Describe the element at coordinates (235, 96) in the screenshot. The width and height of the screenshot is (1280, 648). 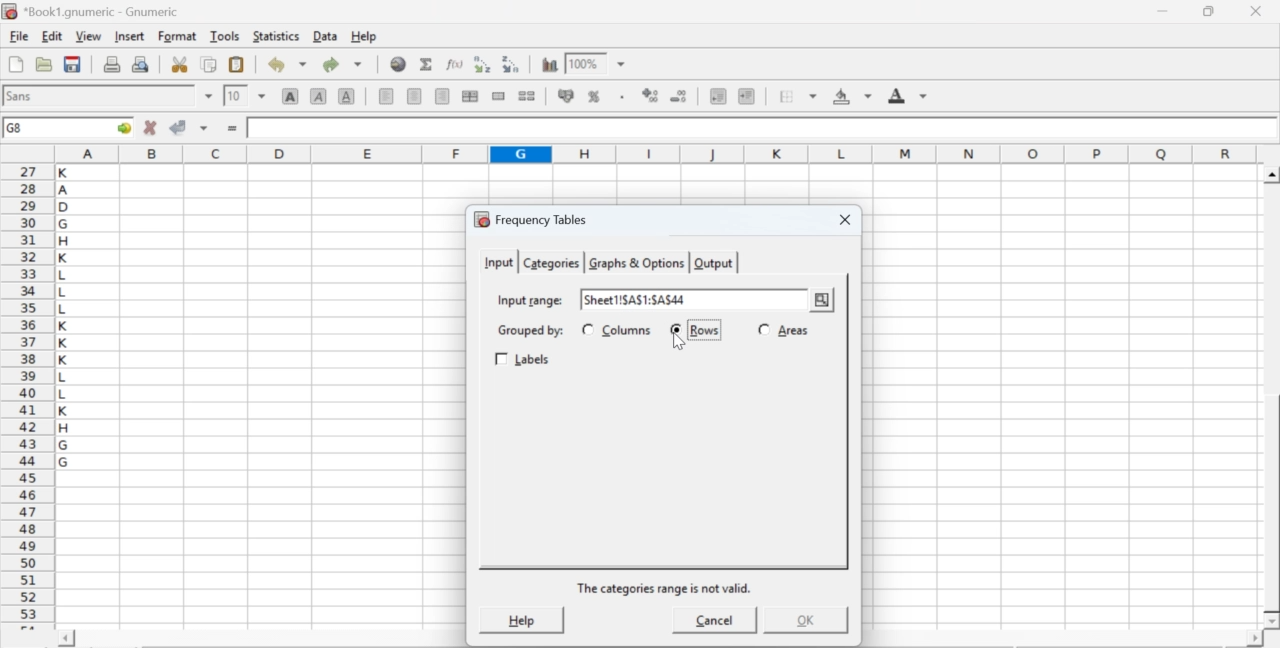
I see `10` at that location.